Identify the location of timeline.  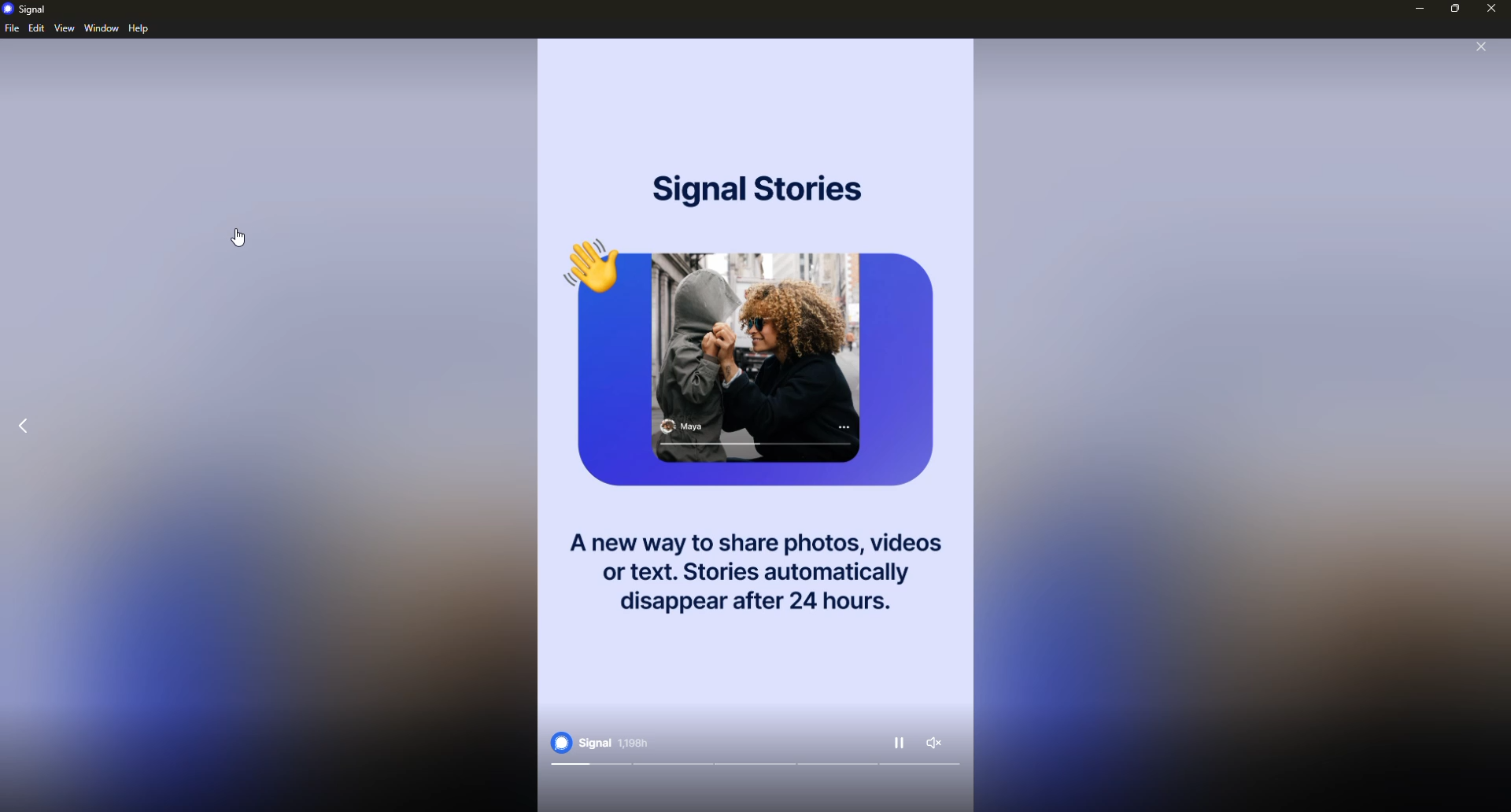
(755, 765).